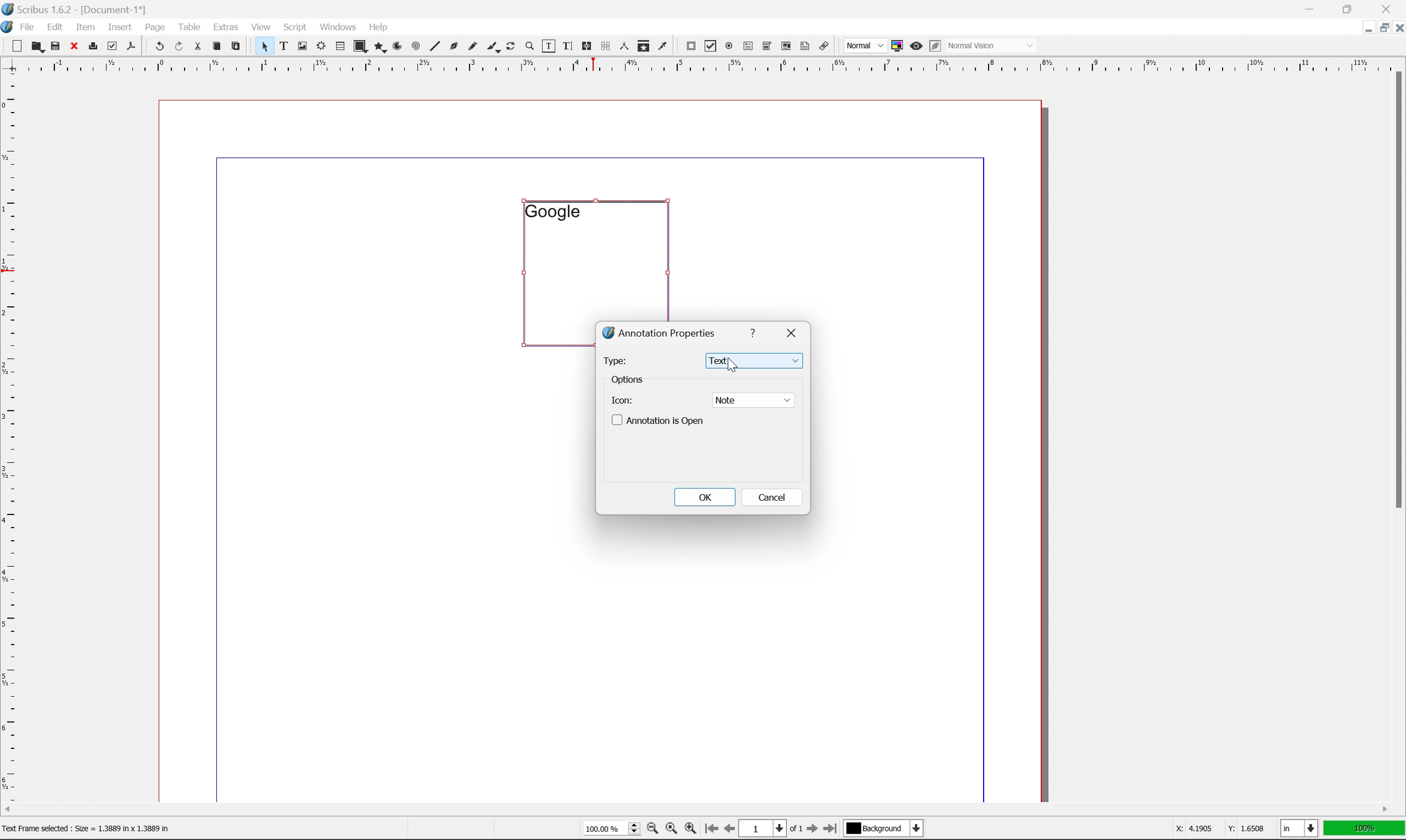 The height and width of the screenshot is (840, 1406). I want to click on note, so click(753, 400).